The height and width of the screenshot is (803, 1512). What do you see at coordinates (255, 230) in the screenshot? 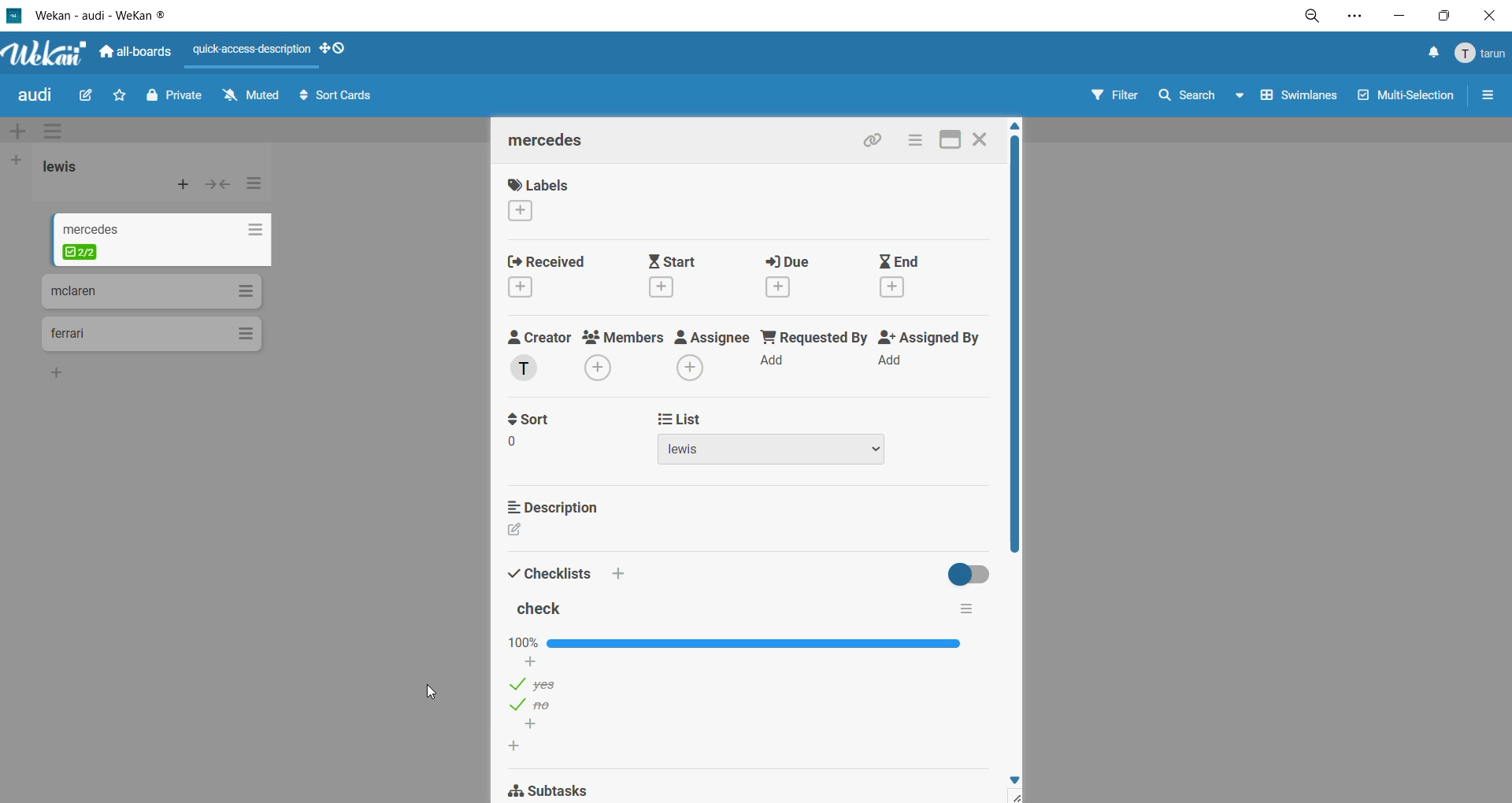
I see `actions` at bounding box center [255, 230].